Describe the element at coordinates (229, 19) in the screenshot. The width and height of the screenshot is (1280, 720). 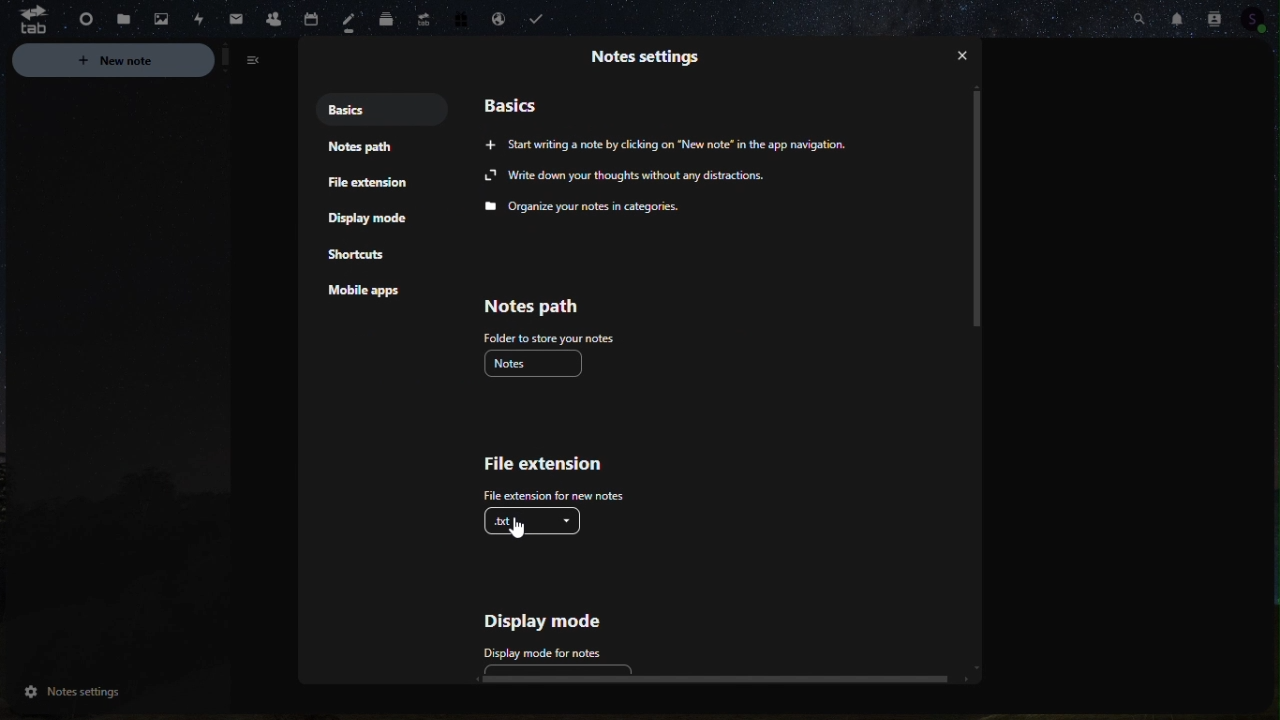
I see `mail` at that location.